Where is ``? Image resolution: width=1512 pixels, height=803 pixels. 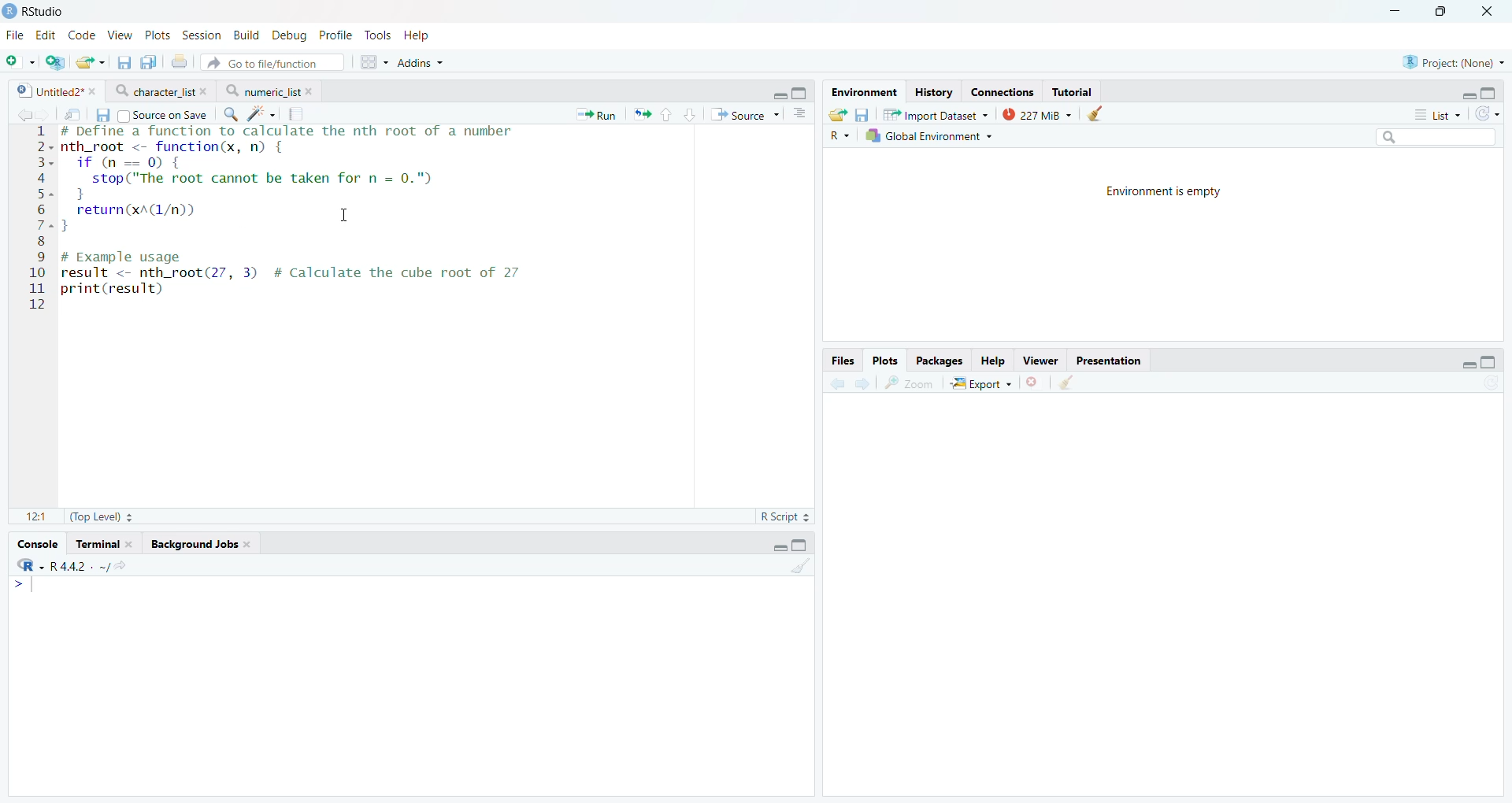
 is located at coordinates (993, 360).